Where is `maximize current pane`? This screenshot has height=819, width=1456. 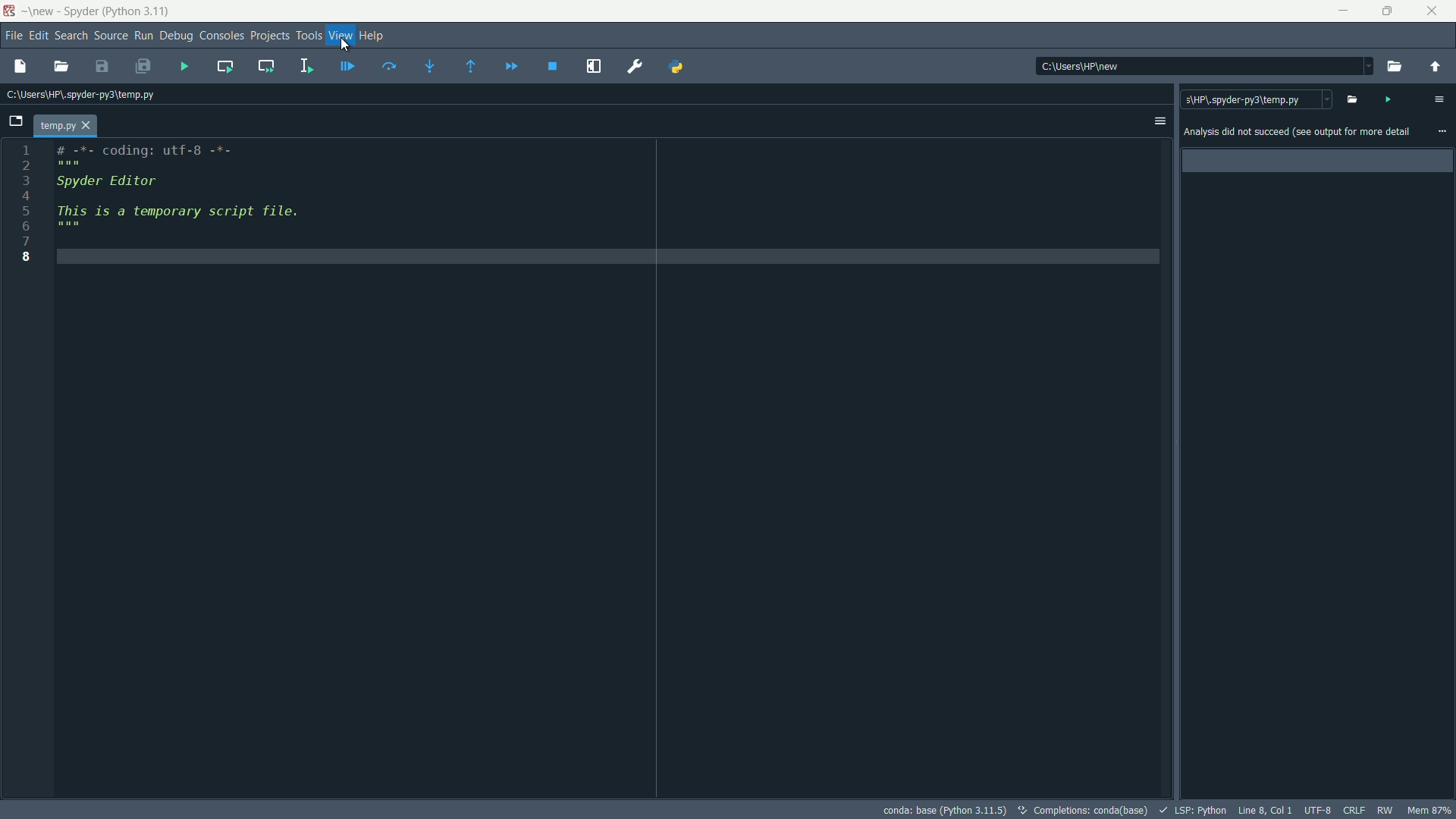
maximize current pane is located at coordinates (593, 66).